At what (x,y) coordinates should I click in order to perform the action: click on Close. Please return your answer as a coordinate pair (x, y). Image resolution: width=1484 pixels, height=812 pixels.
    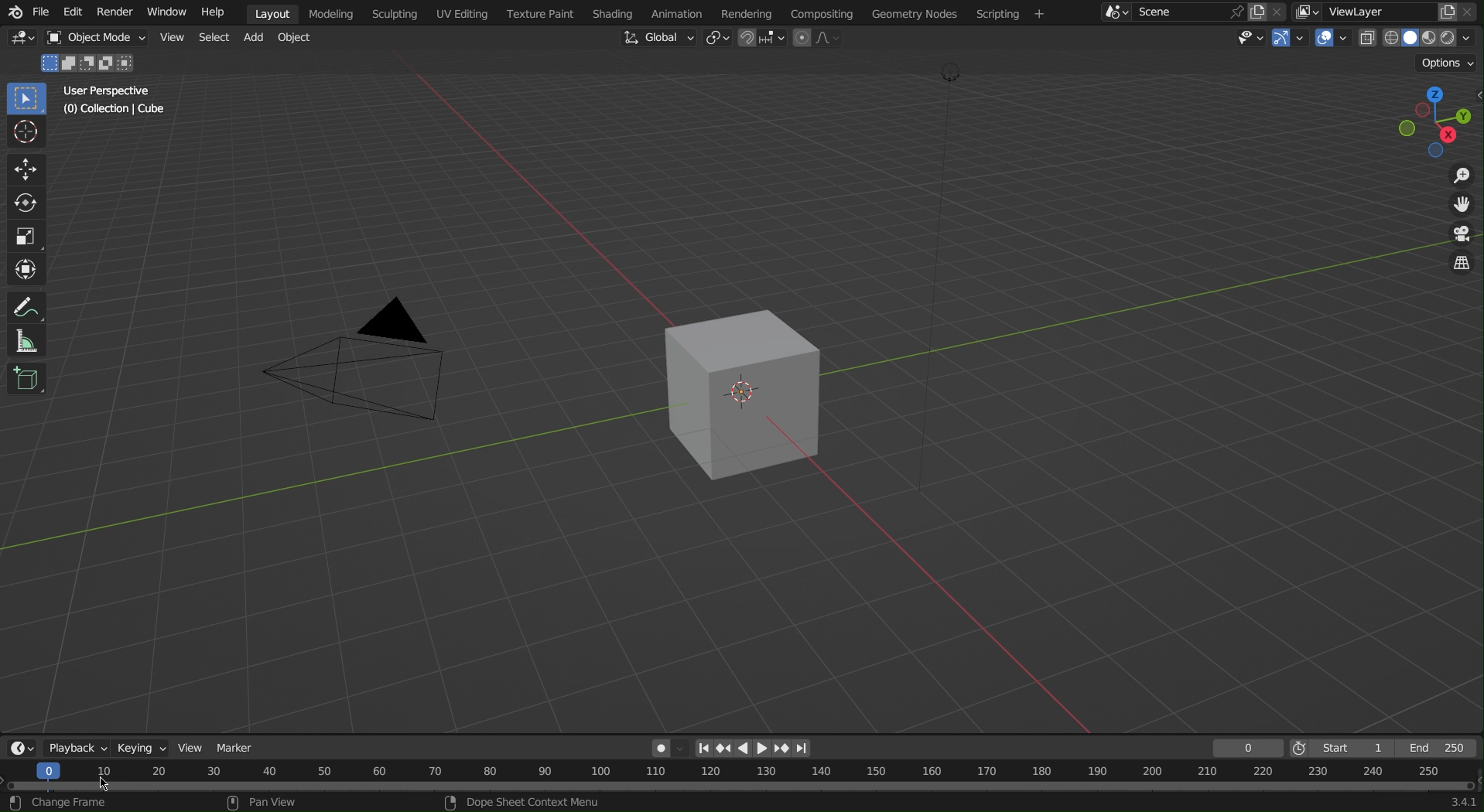
    Looking at the image, I should click on (1473, 12).